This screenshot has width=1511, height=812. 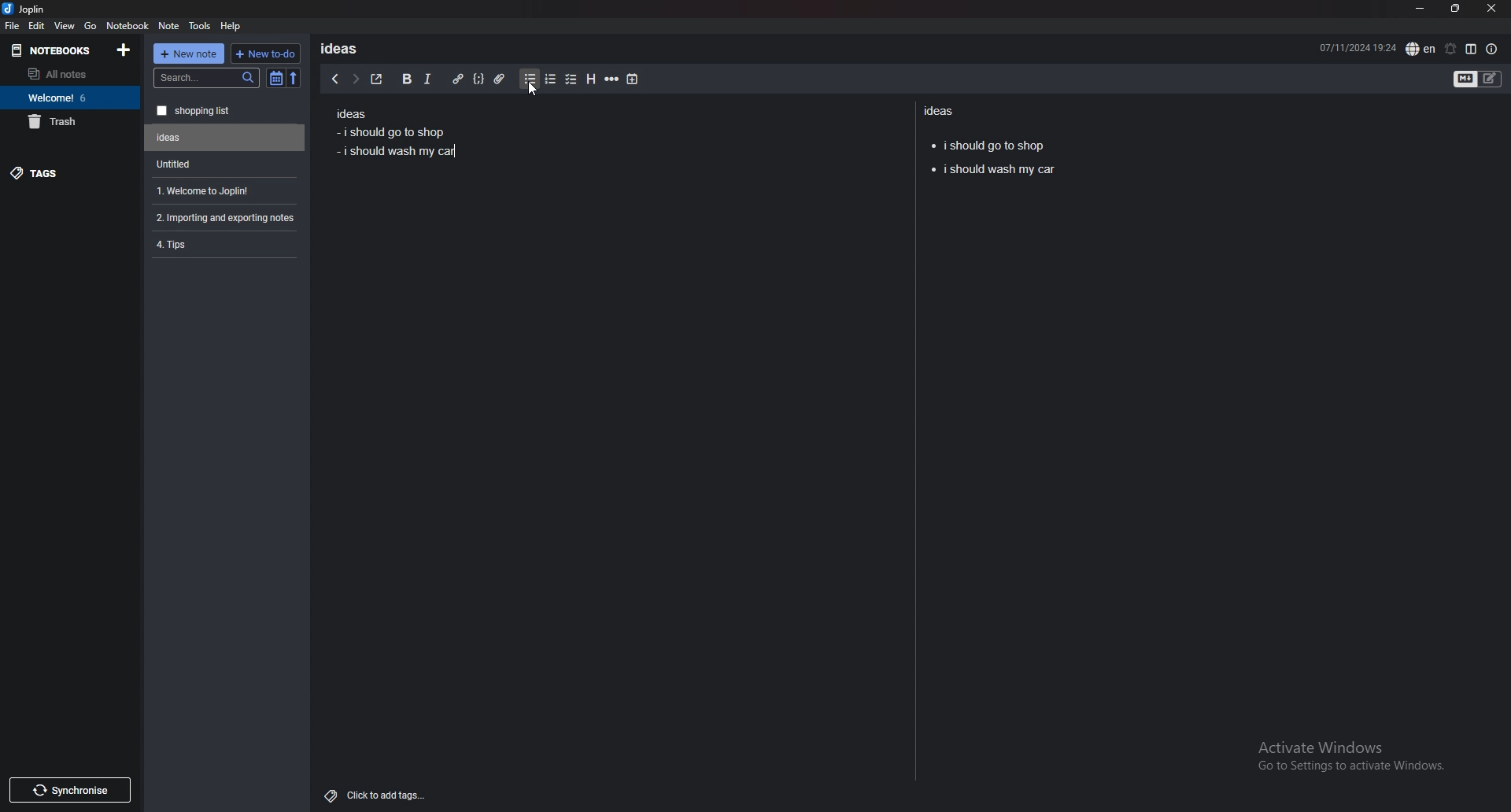 I want to click on spell check, so click(x=1420, y=49).